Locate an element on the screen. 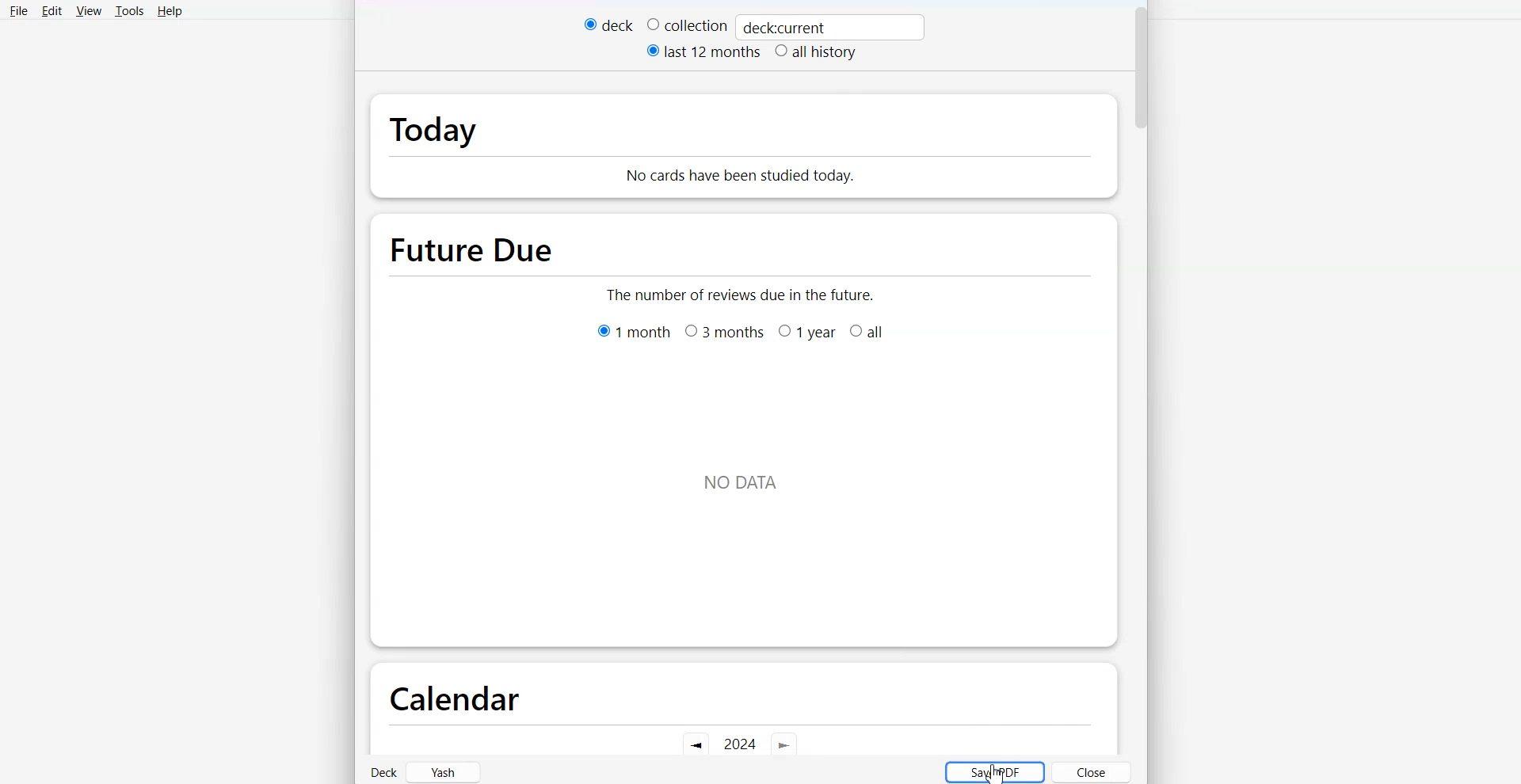  1 Month is located at coordinates (634, 330).